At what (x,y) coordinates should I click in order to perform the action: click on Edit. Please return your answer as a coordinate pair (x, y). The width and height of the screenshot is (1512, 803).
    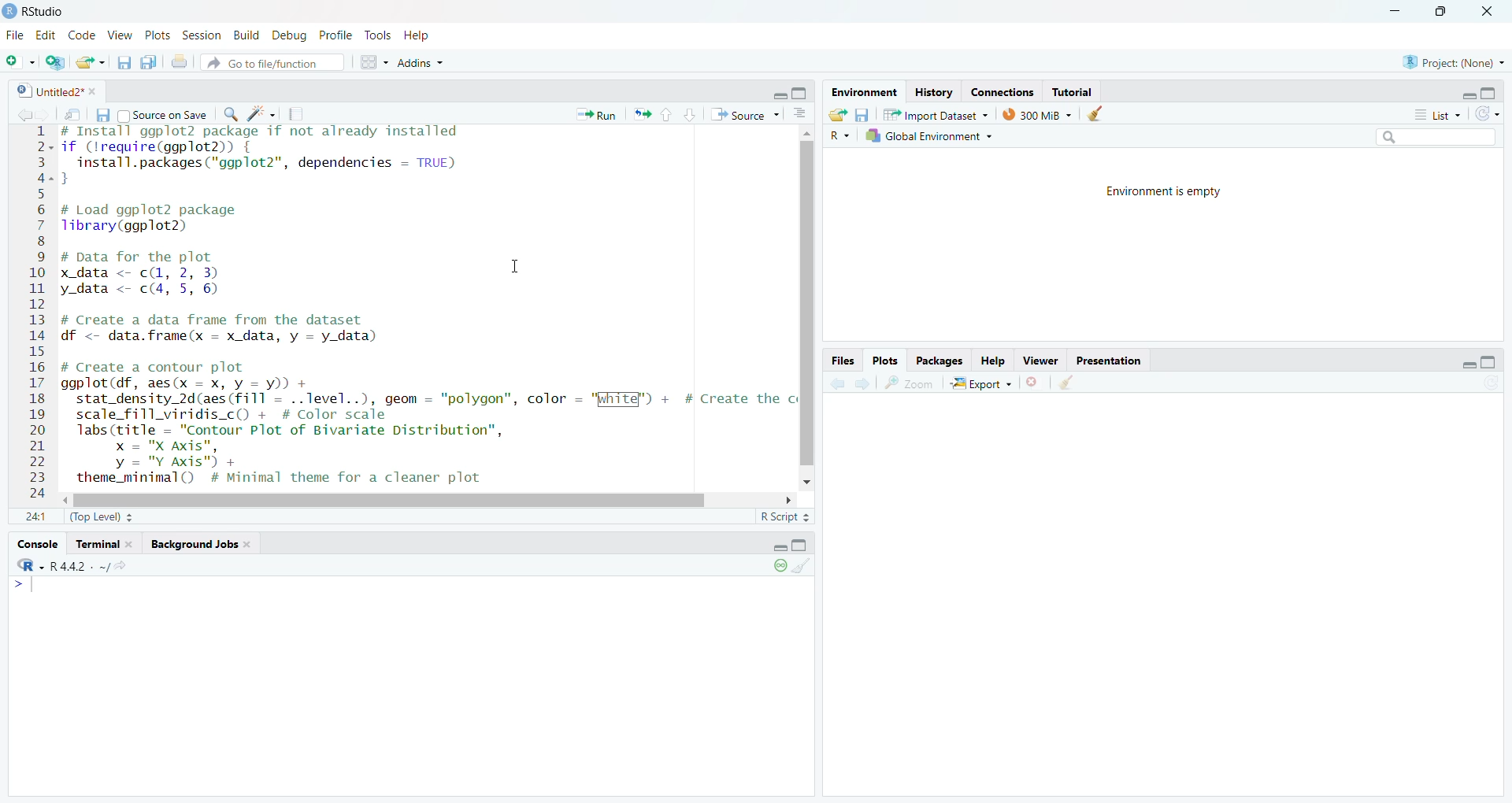
    Looking at the image, I should click on (44, 37).